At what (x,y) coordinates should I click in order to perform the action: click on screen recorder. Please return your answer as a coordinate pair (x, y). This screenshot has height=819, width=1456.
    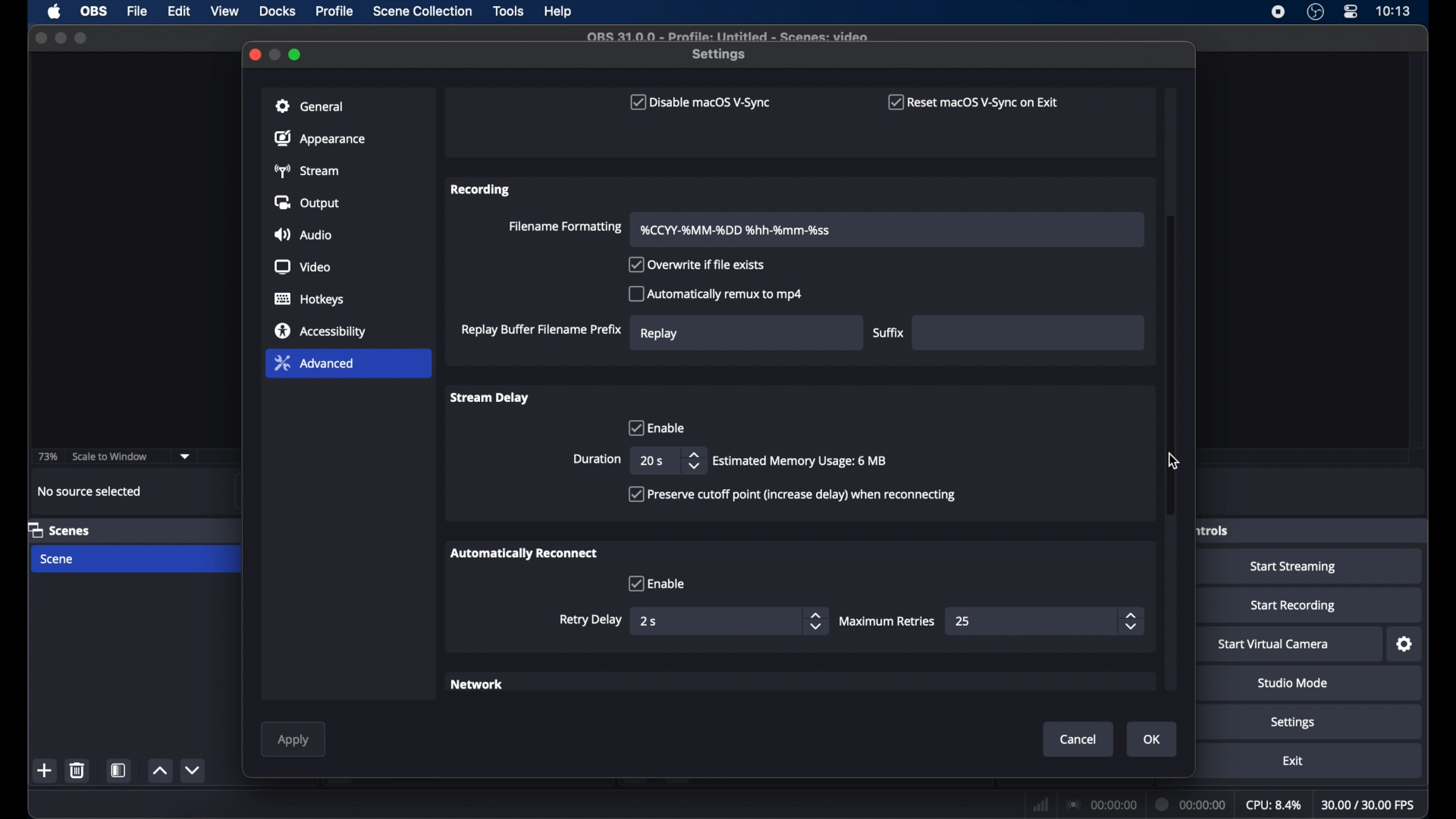
    Looking at the image, I should click on (1277, 12).